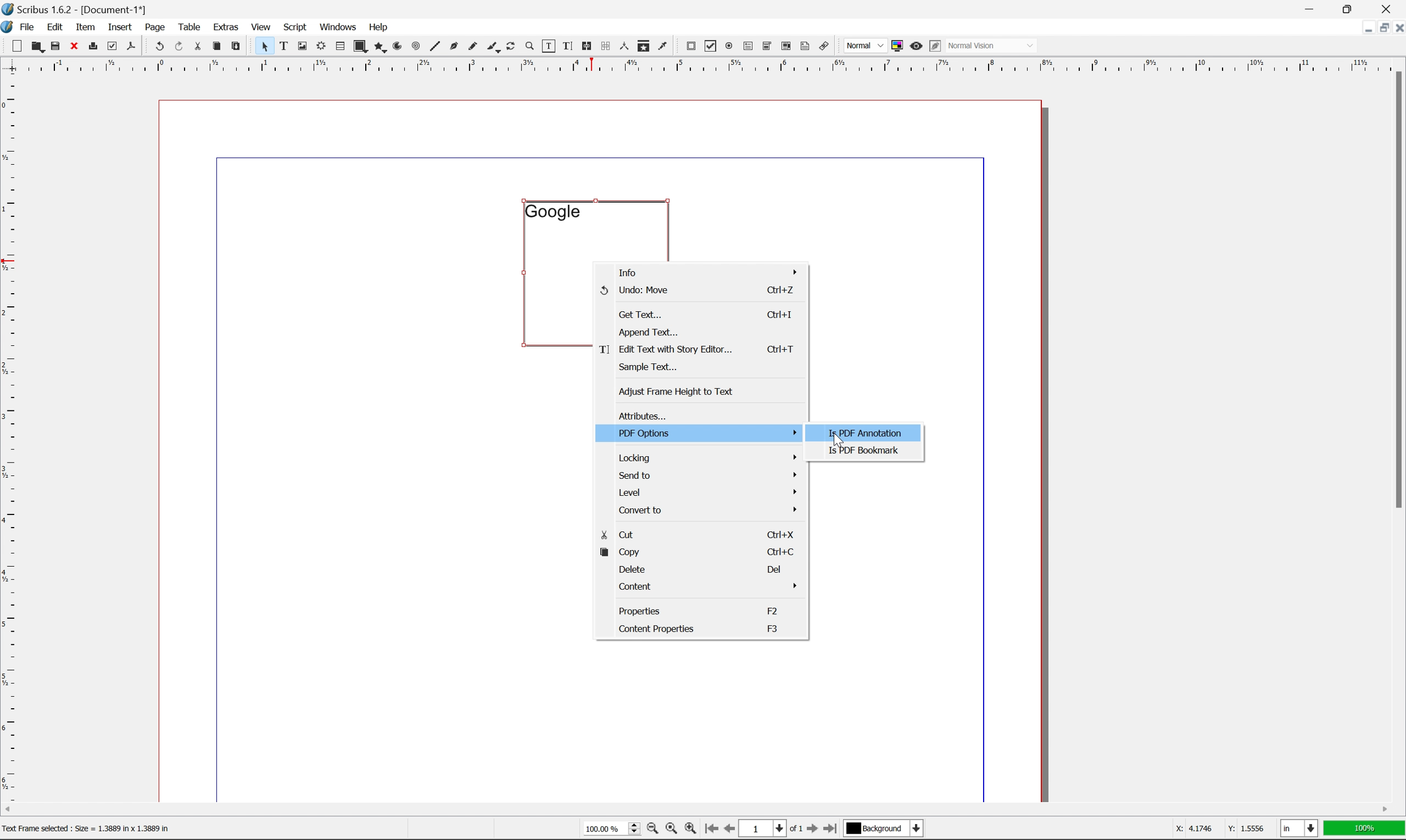 The height and width of the screenshot is (840, 1406). Describe the element at coordinates (228, 27) in the screenshot. I see `extras` at that location.